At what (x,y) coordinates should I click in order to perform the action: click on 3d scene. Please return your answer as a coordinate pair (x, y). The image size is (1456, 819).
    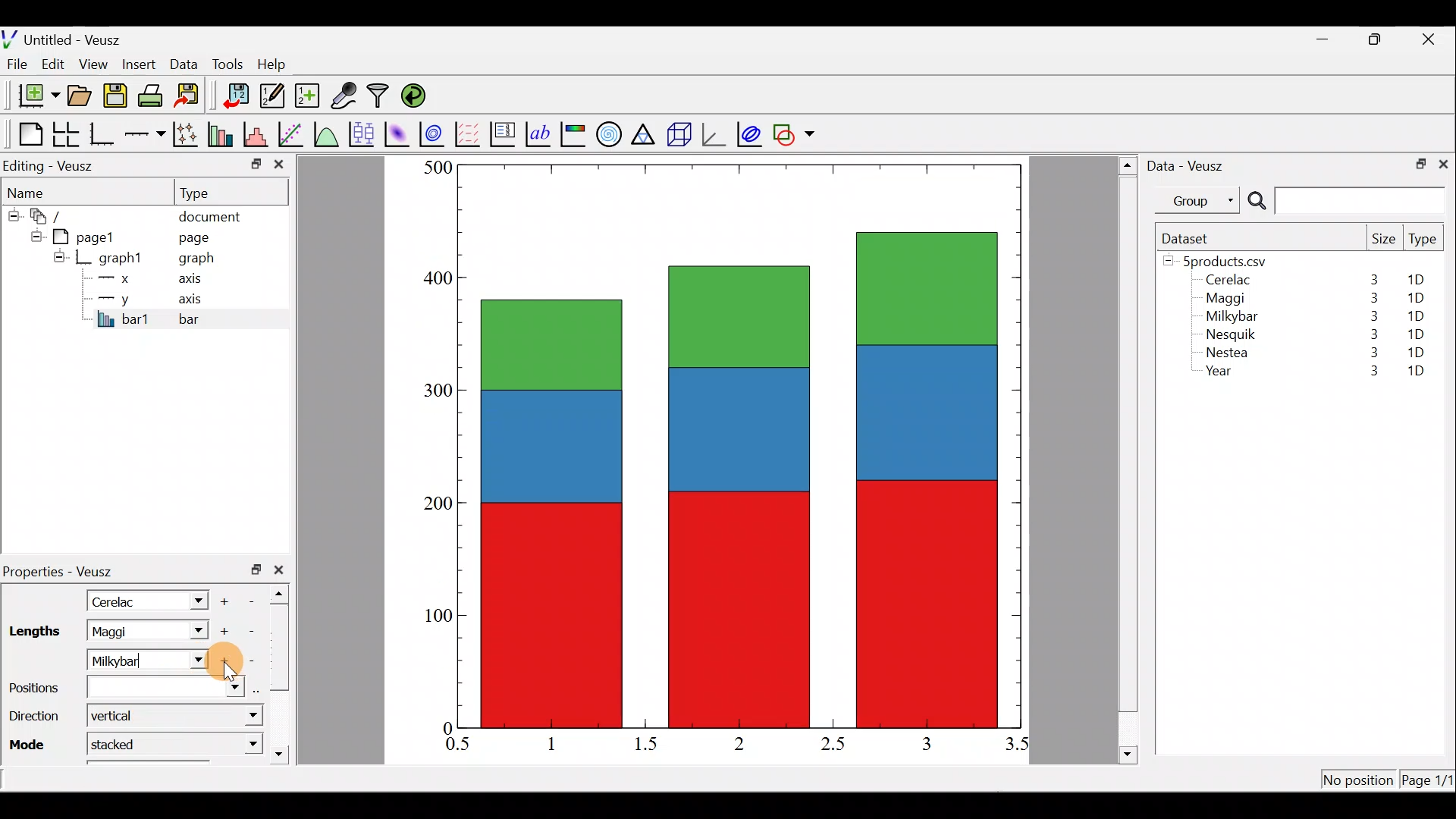
    Looking at the image, I should click on (678, 134).